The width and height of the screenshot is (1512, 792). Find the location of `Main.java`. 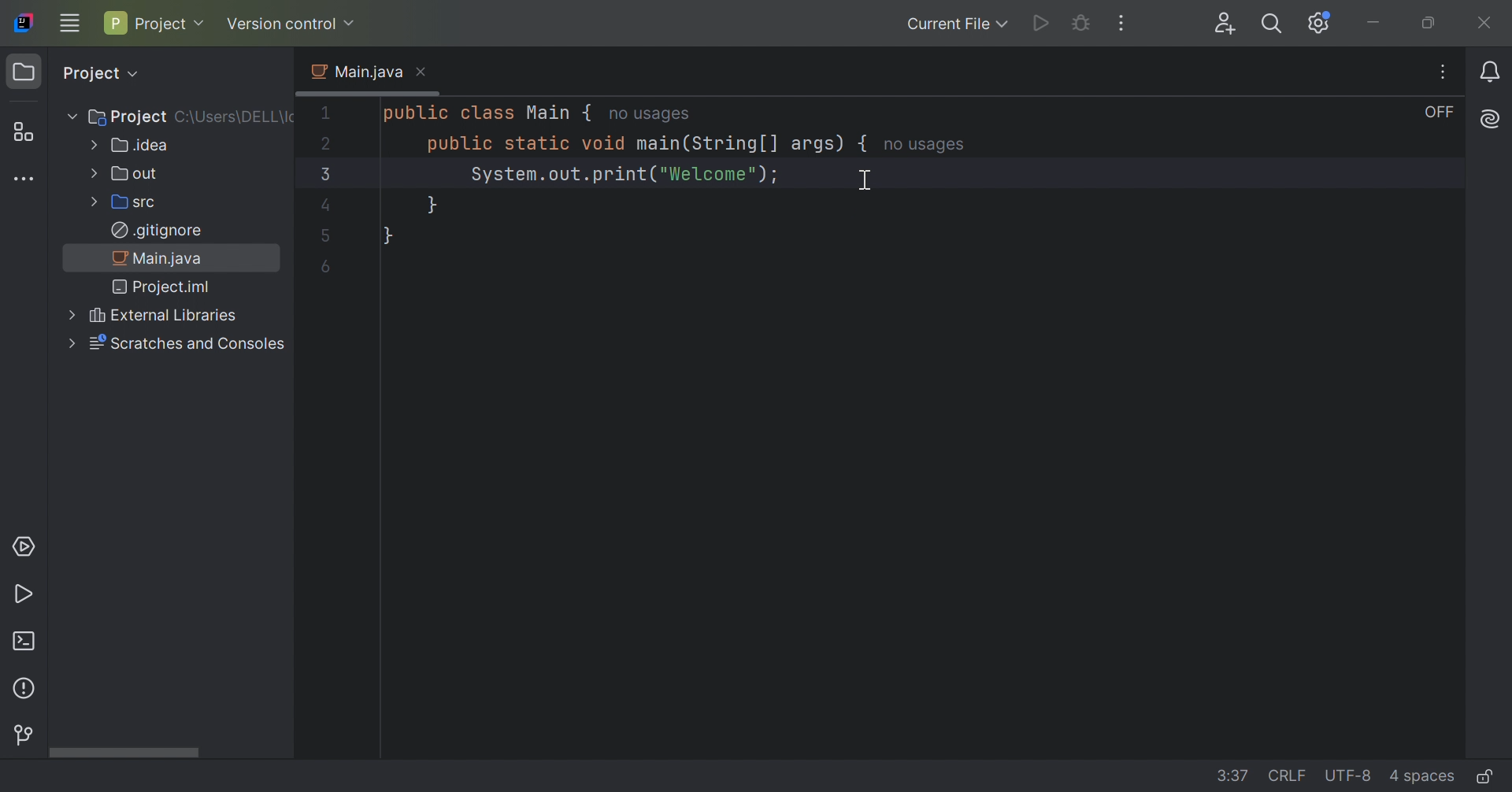

Main.java is located at coordinates (354, 72).